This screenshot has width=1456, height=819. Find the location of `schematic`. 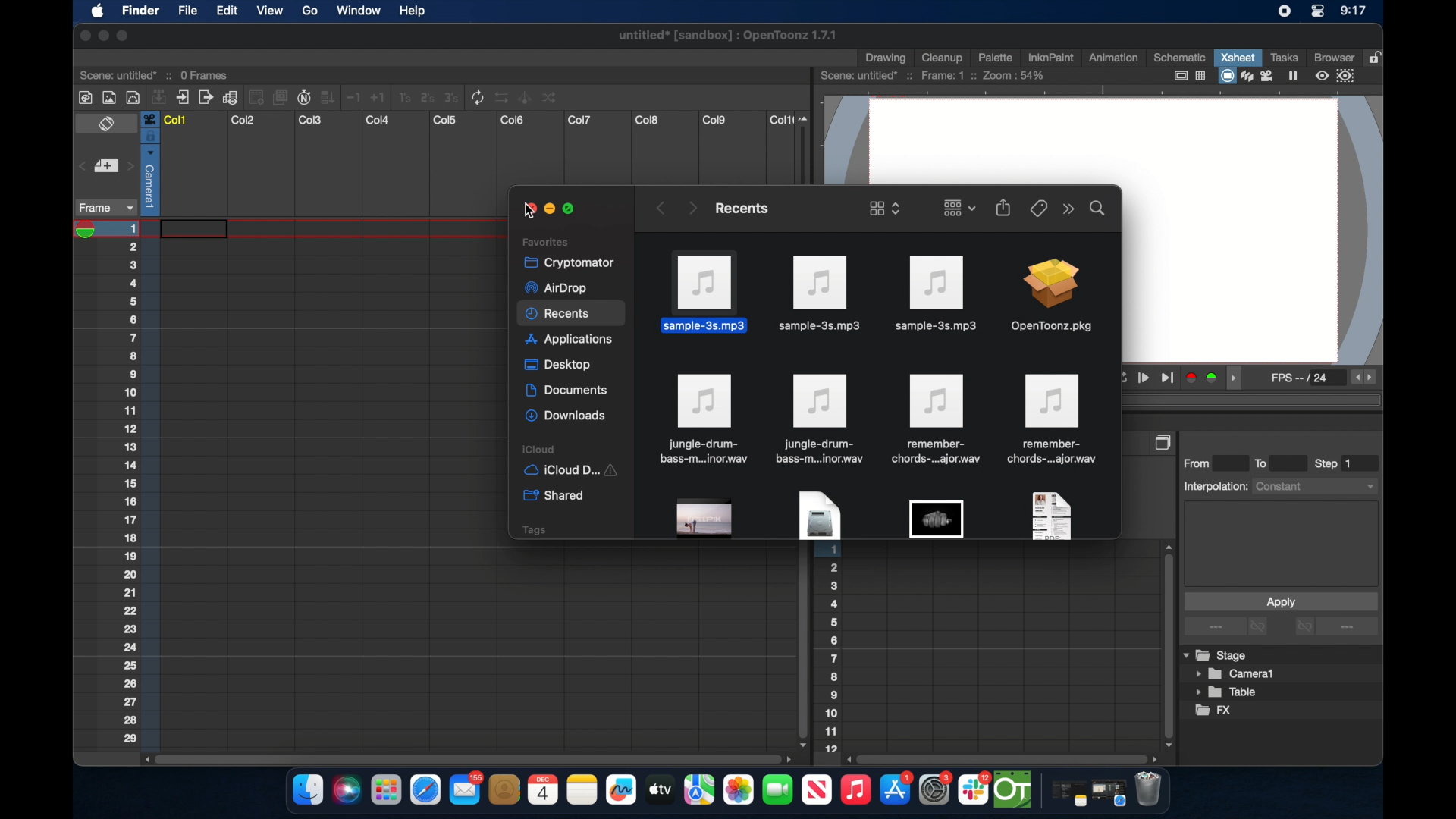

schematic is located at coordinates (1180, 57).